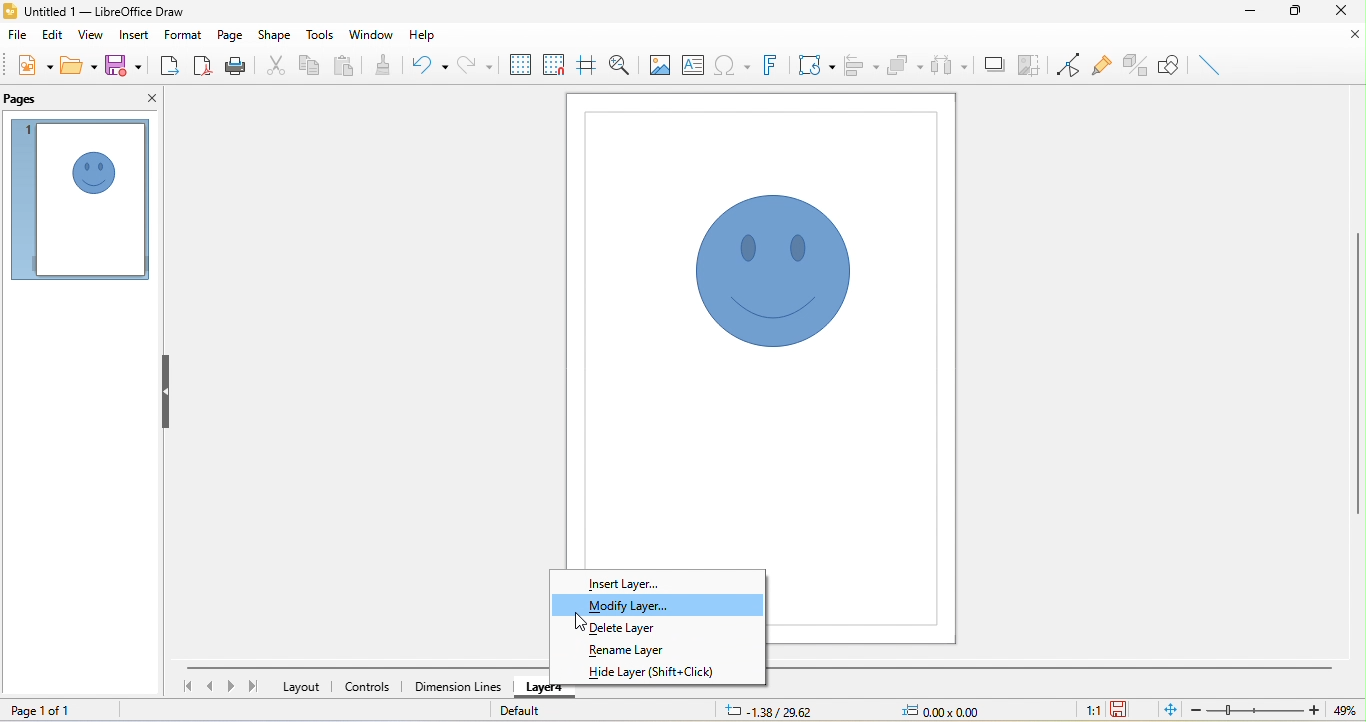  What do you see at coordinates (993, 64) in the screenshot?
I see `shadow` at bounding box center [993, 64].